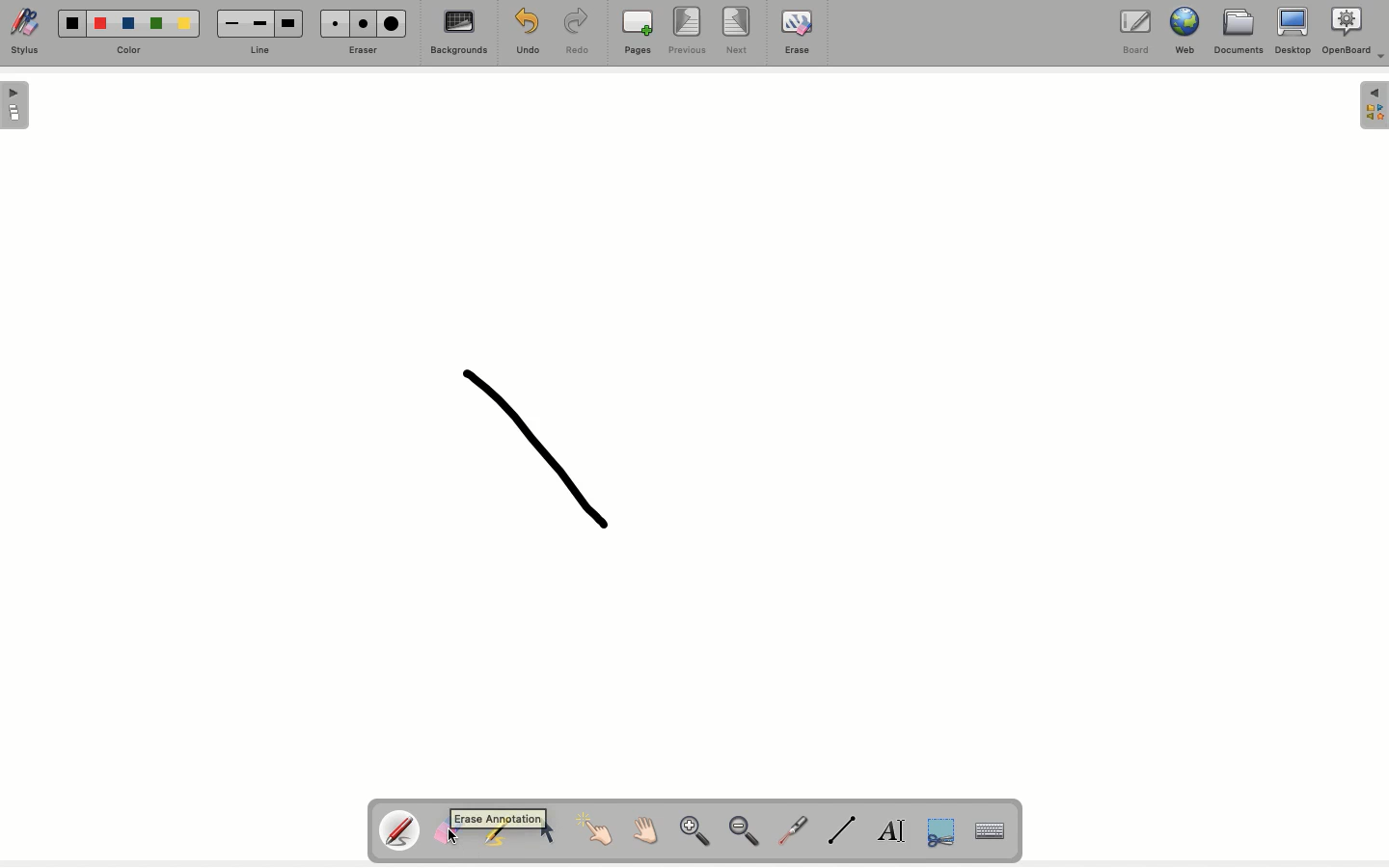  Describe the element at coordinates (844, 831) in the screenshot. I see `Line` at that location.